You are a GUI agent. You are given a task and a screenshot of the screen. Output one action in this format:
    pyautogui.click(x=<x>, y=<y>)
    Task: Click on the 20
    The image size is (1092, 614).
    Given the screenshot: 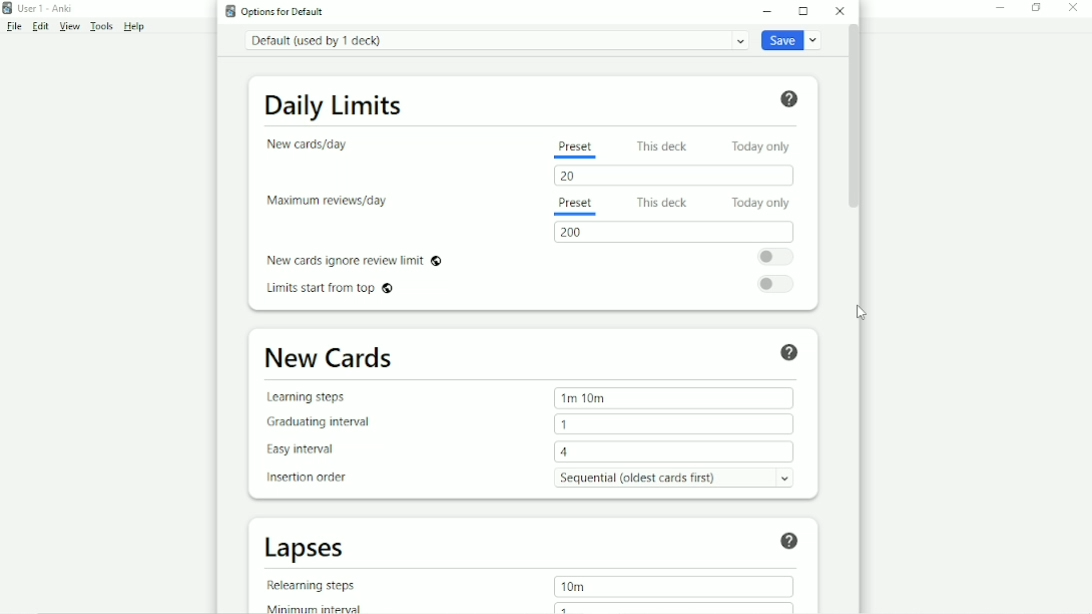 What is the action you would take?
    pyautogui.click(x=568, y=177)
    